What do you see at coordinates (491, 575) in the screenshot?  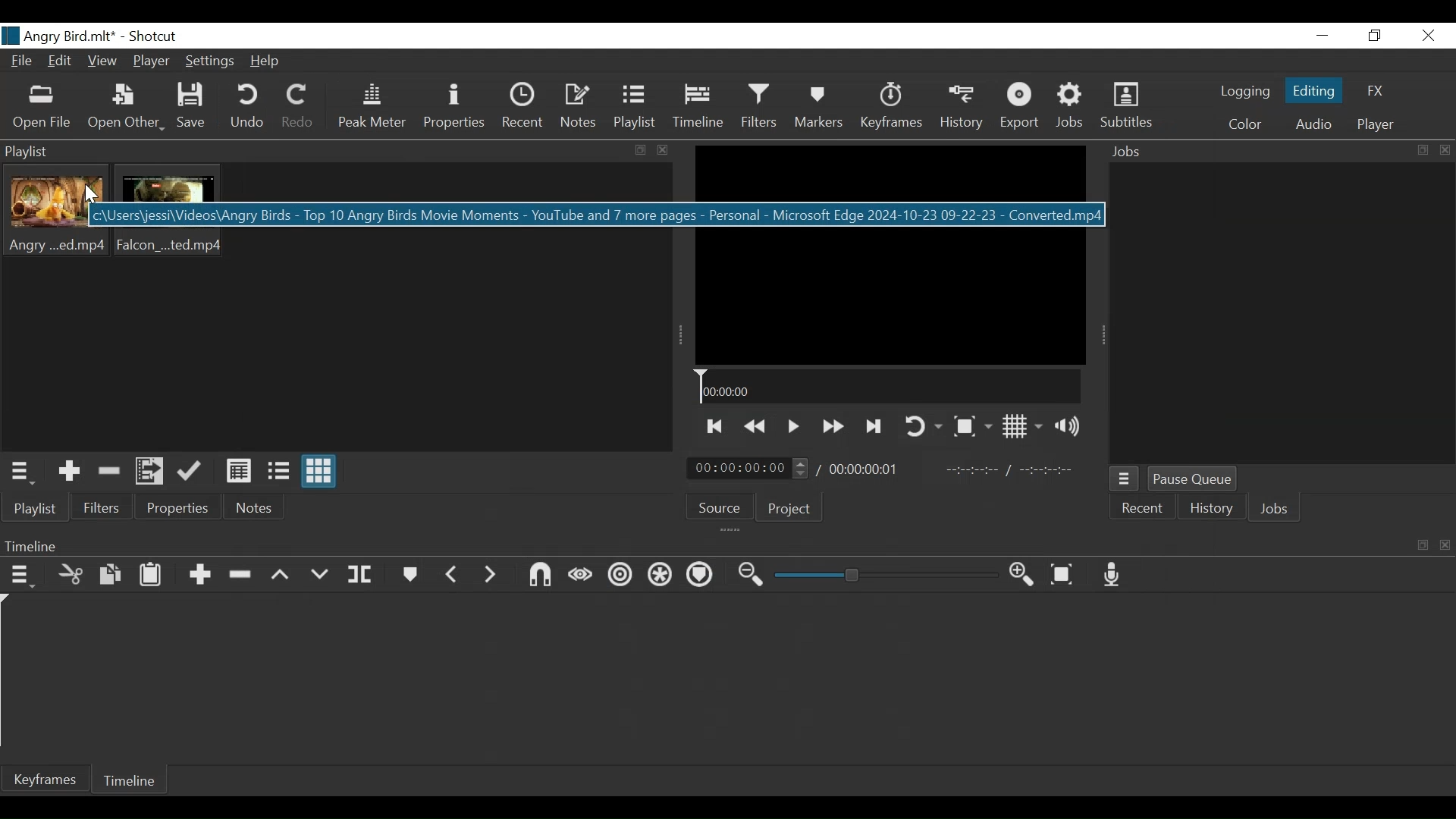 I see `Next Marker` at bounding box center [491, 575].